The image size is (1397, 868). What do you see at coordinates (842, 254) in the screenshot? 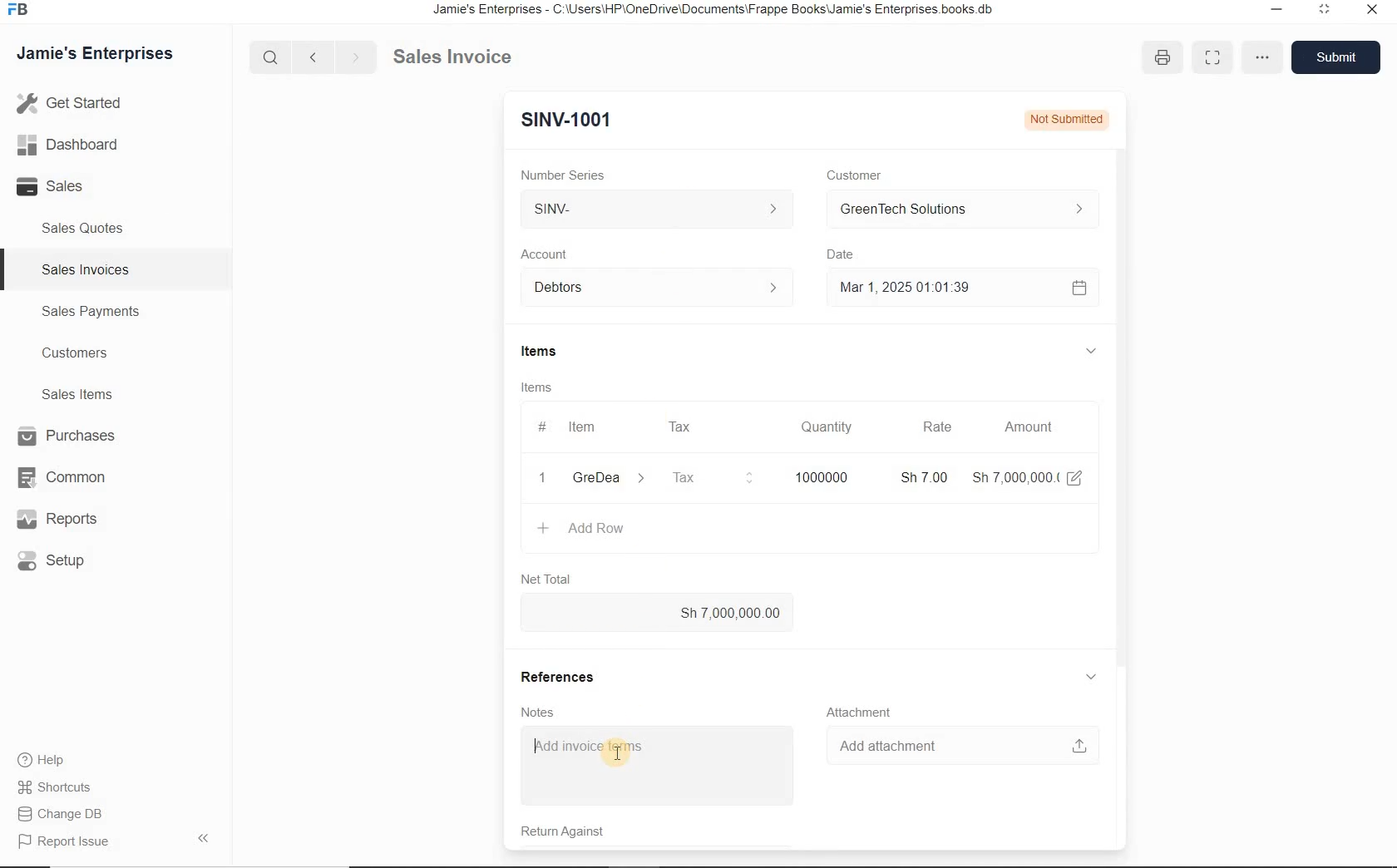
I see `Date` at bounding box center [842, 254].